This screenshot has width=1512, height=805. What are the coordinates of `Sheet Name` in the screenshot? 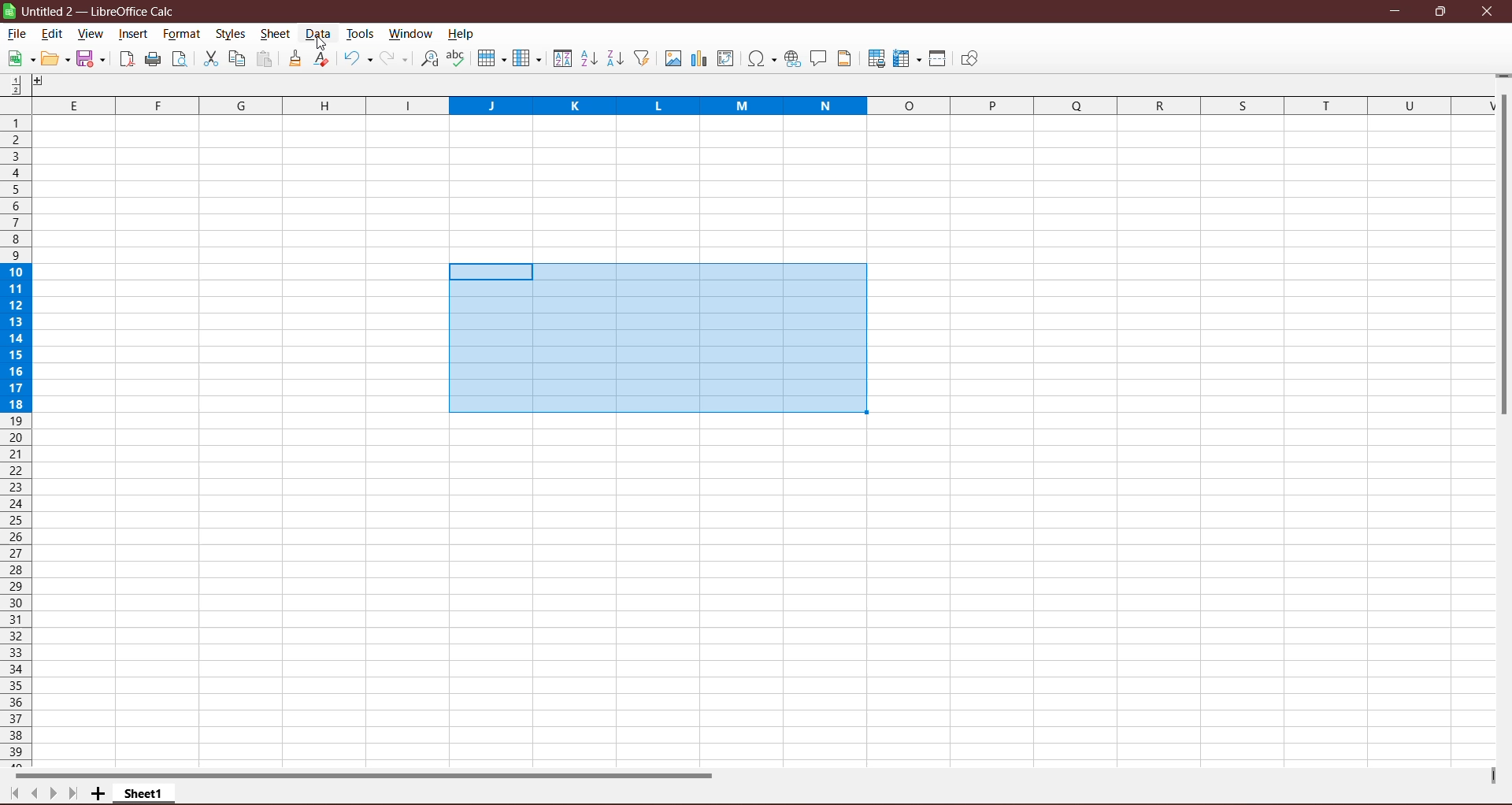 It's located at (146, 793).